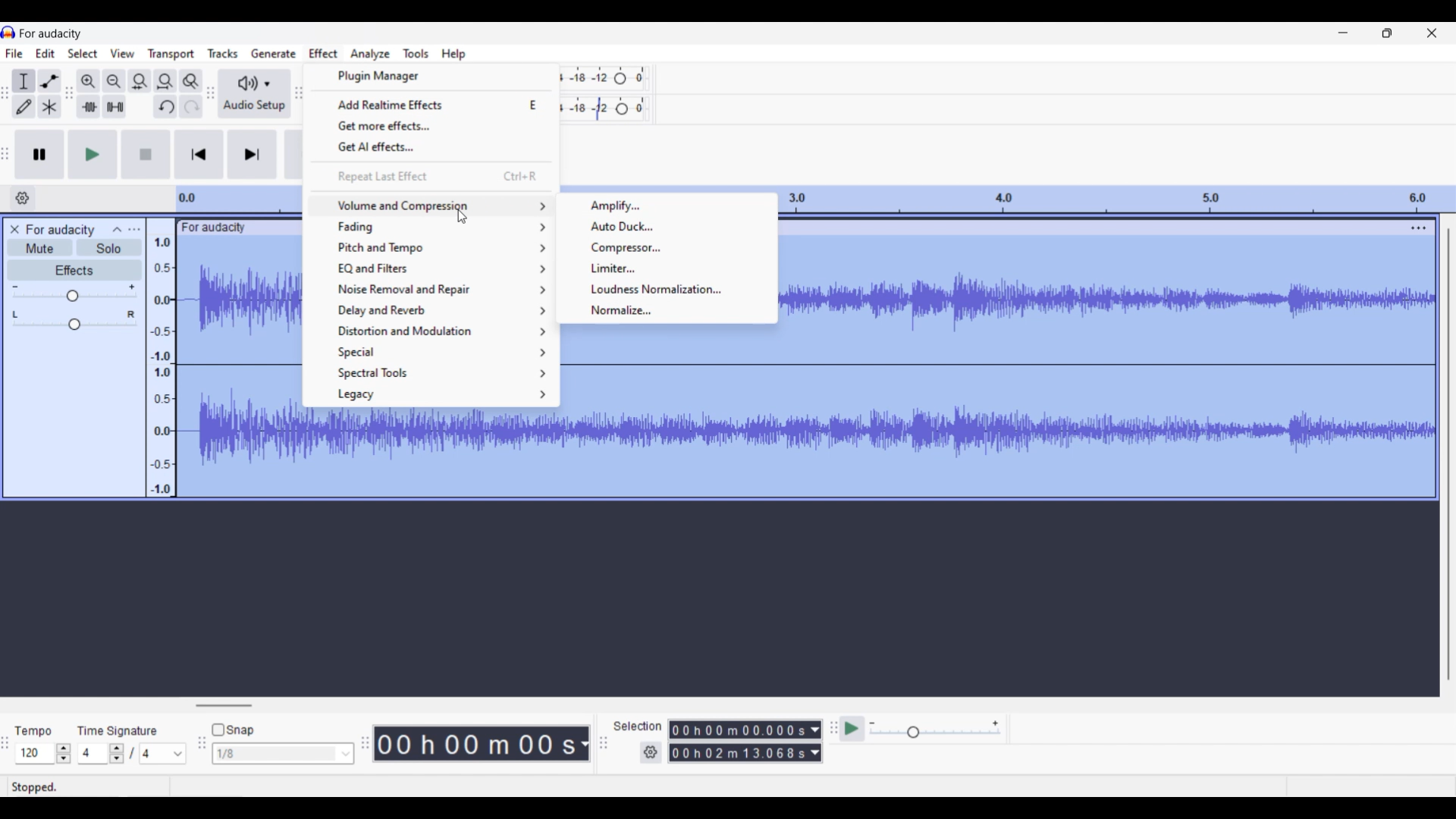 The width and height of the screenshot is (1456, 819). I want to click on Vertical slide bar, so click(1449, 456).